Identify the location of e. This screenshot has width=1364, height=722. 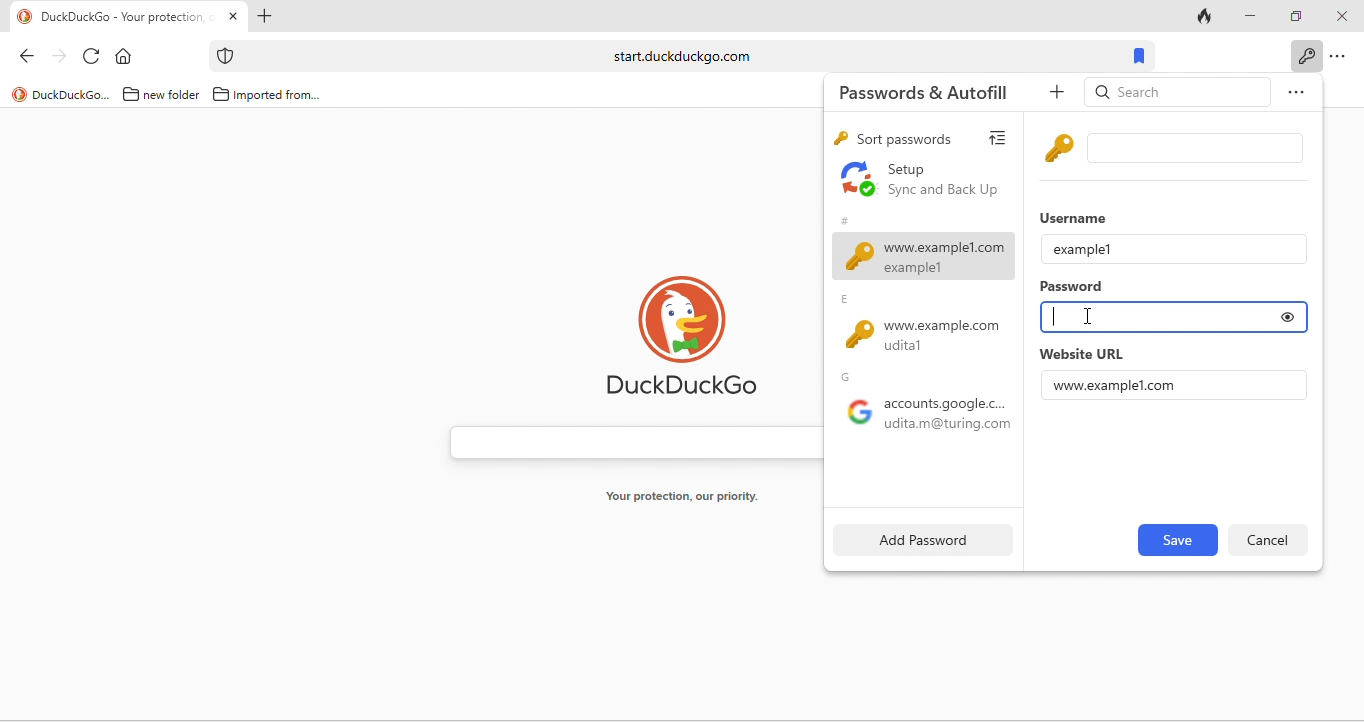
(849, 300).